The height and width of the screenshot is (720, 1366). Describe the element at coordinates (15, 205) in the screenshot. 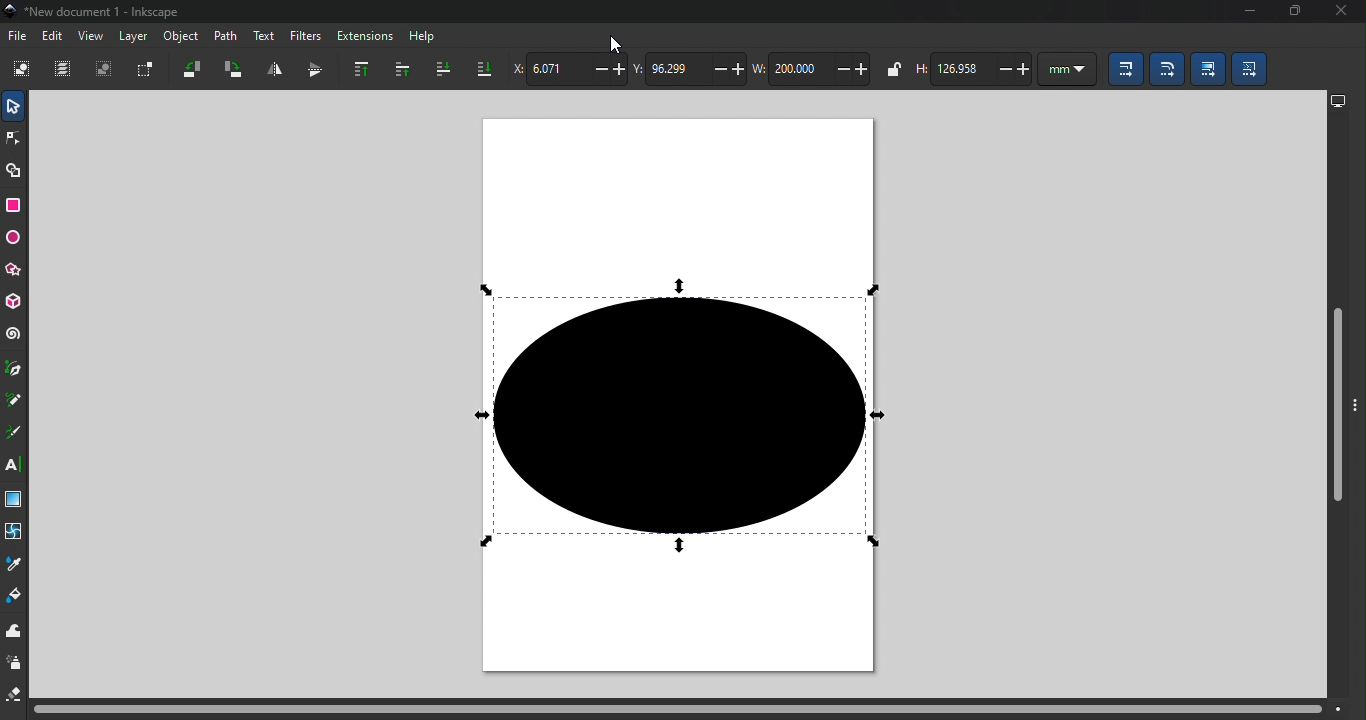

I see `Rectangle tool` at that location.